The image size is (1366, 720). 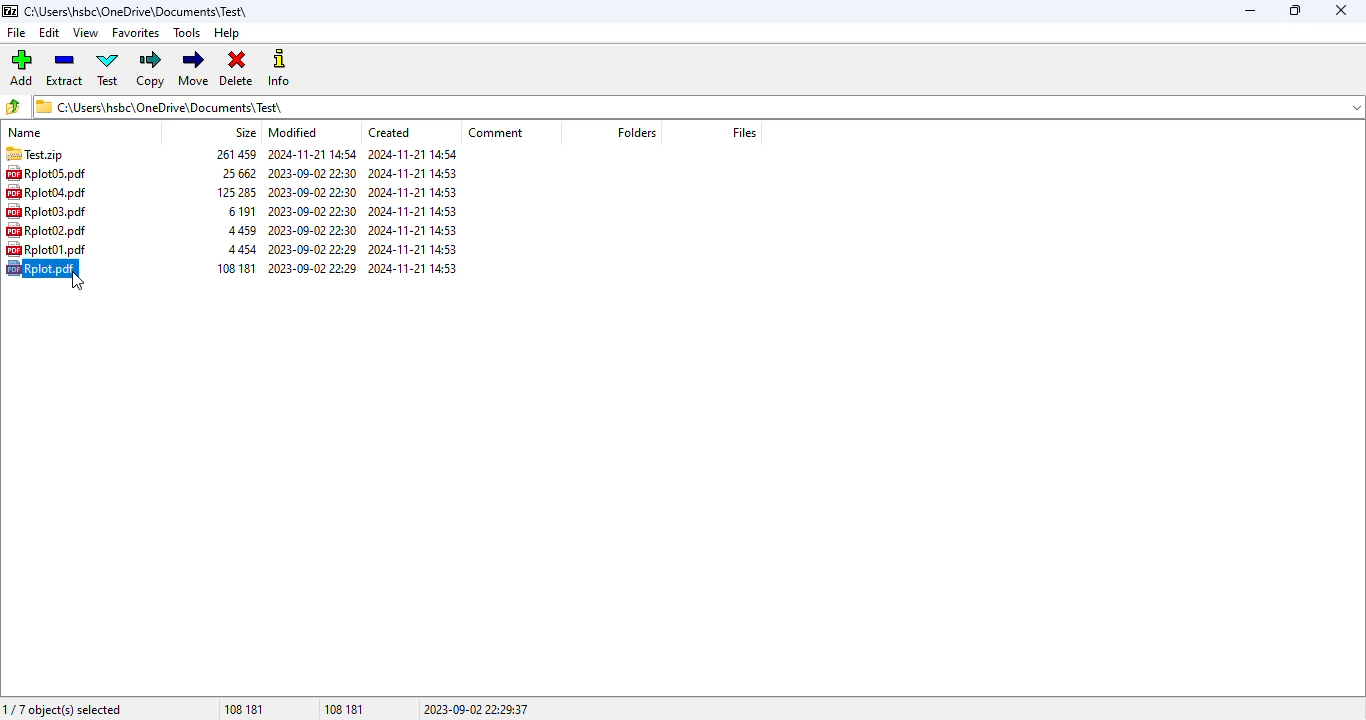 I want to click on edit, so click(x=49, y=32).